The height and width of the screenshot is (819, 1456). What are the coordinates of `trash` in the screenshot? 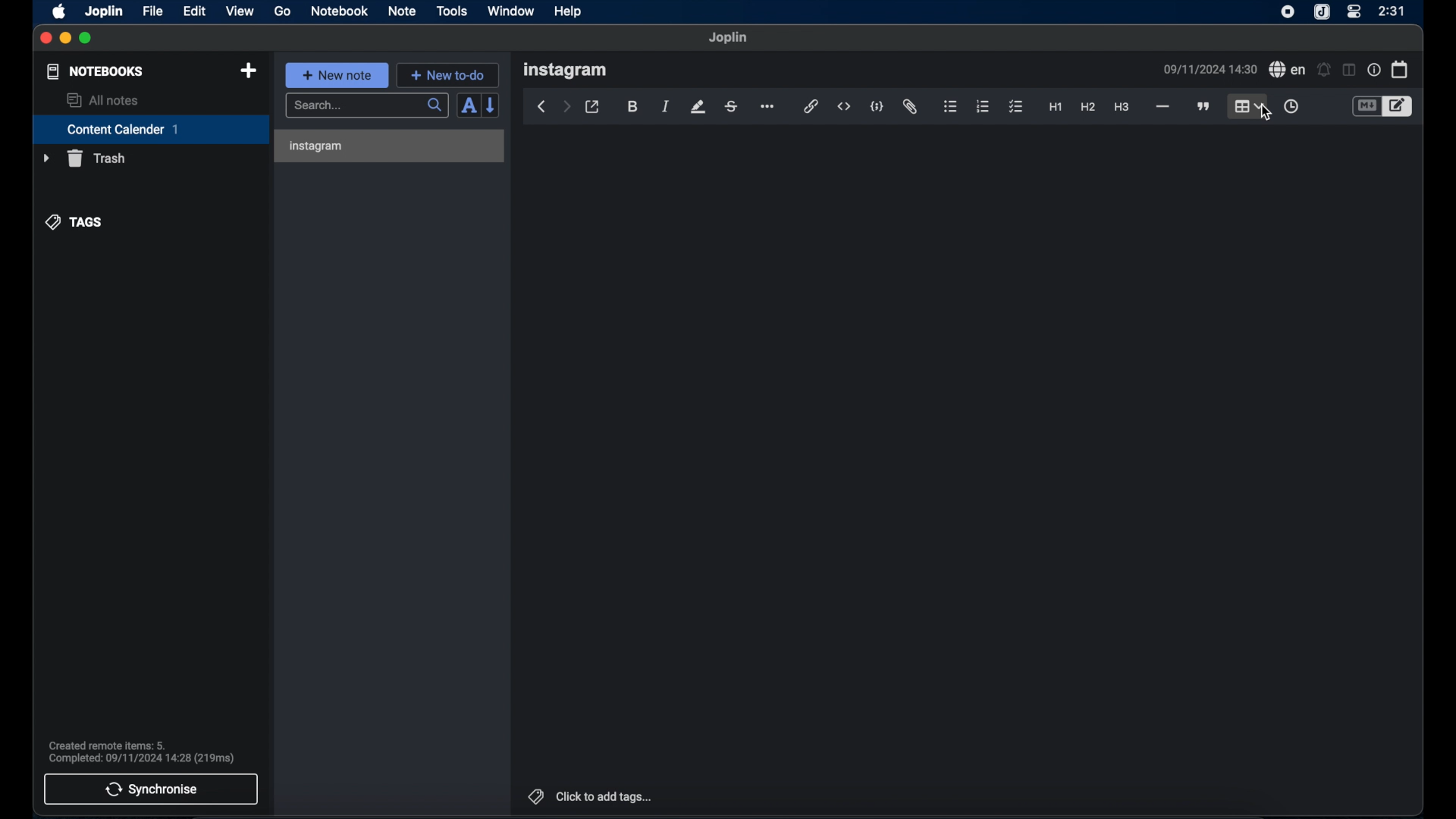 It's located at (84, 158).